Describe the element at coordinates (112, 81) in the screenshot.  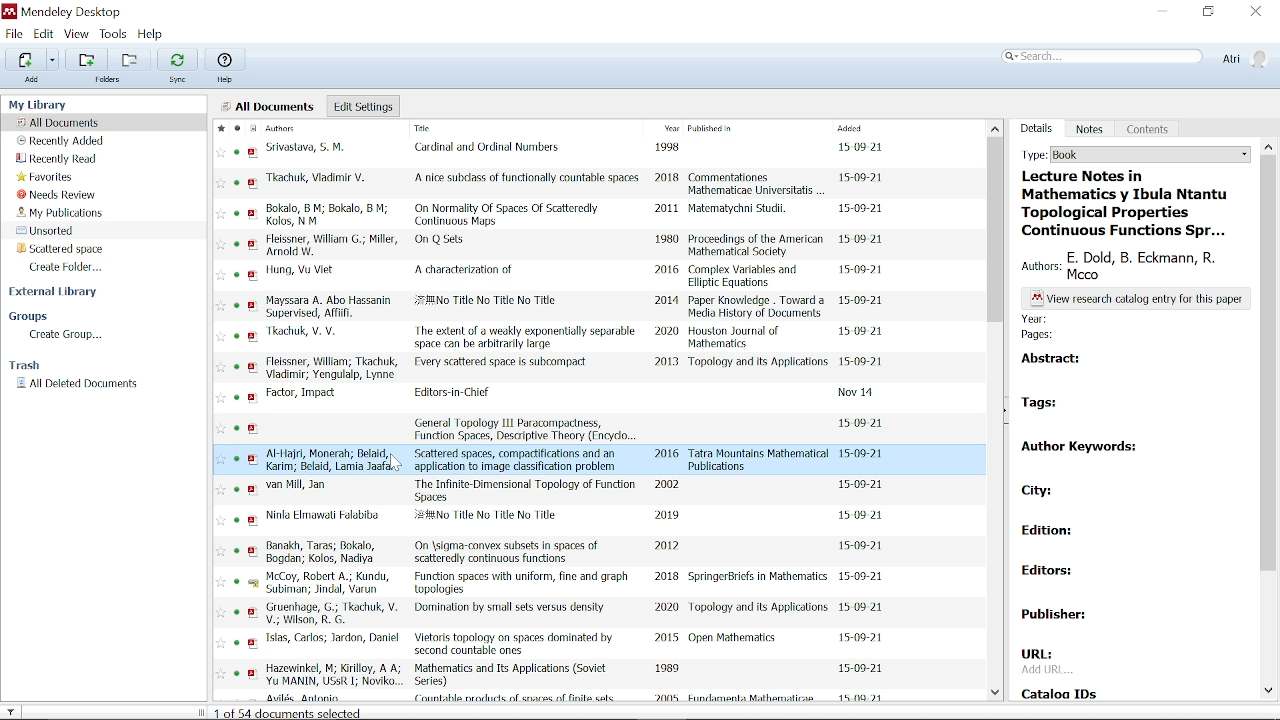
I see `folders` at that location.